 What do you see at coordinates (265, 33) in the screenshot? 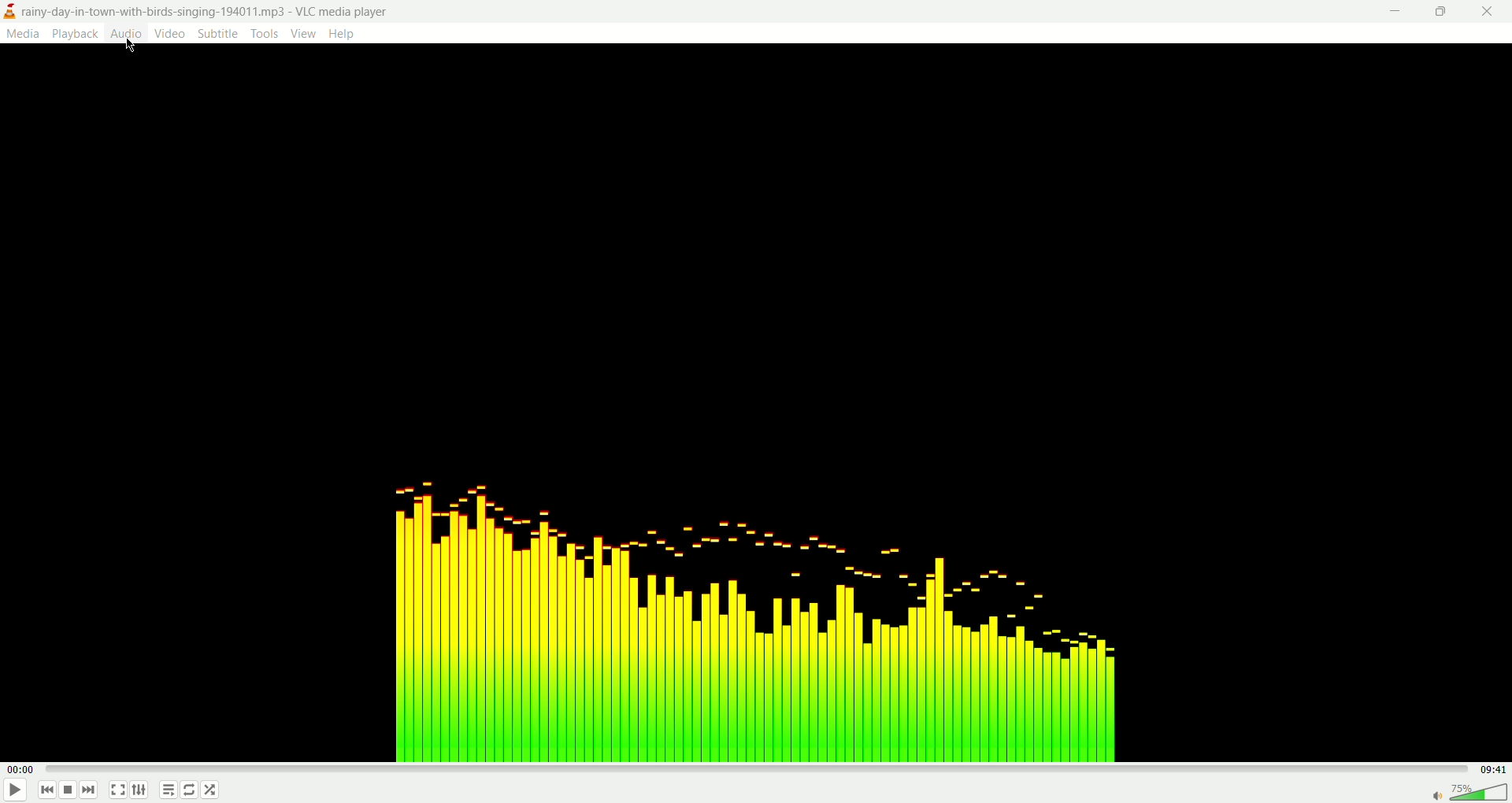
I see `tools` at bounding box center [265, 33].